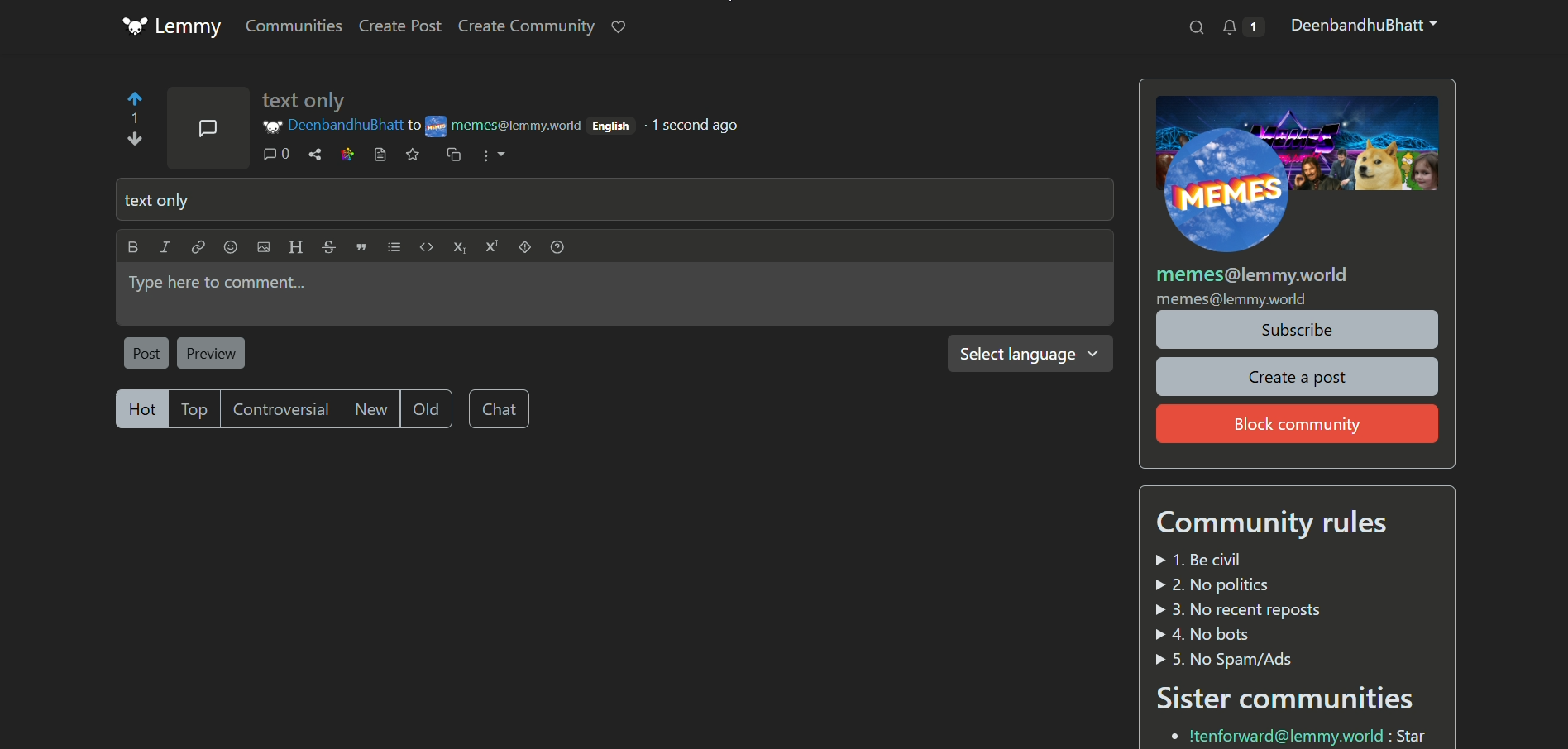 This screenshot has width=1568, height=749. I want to click on search, so click(1194, 28).